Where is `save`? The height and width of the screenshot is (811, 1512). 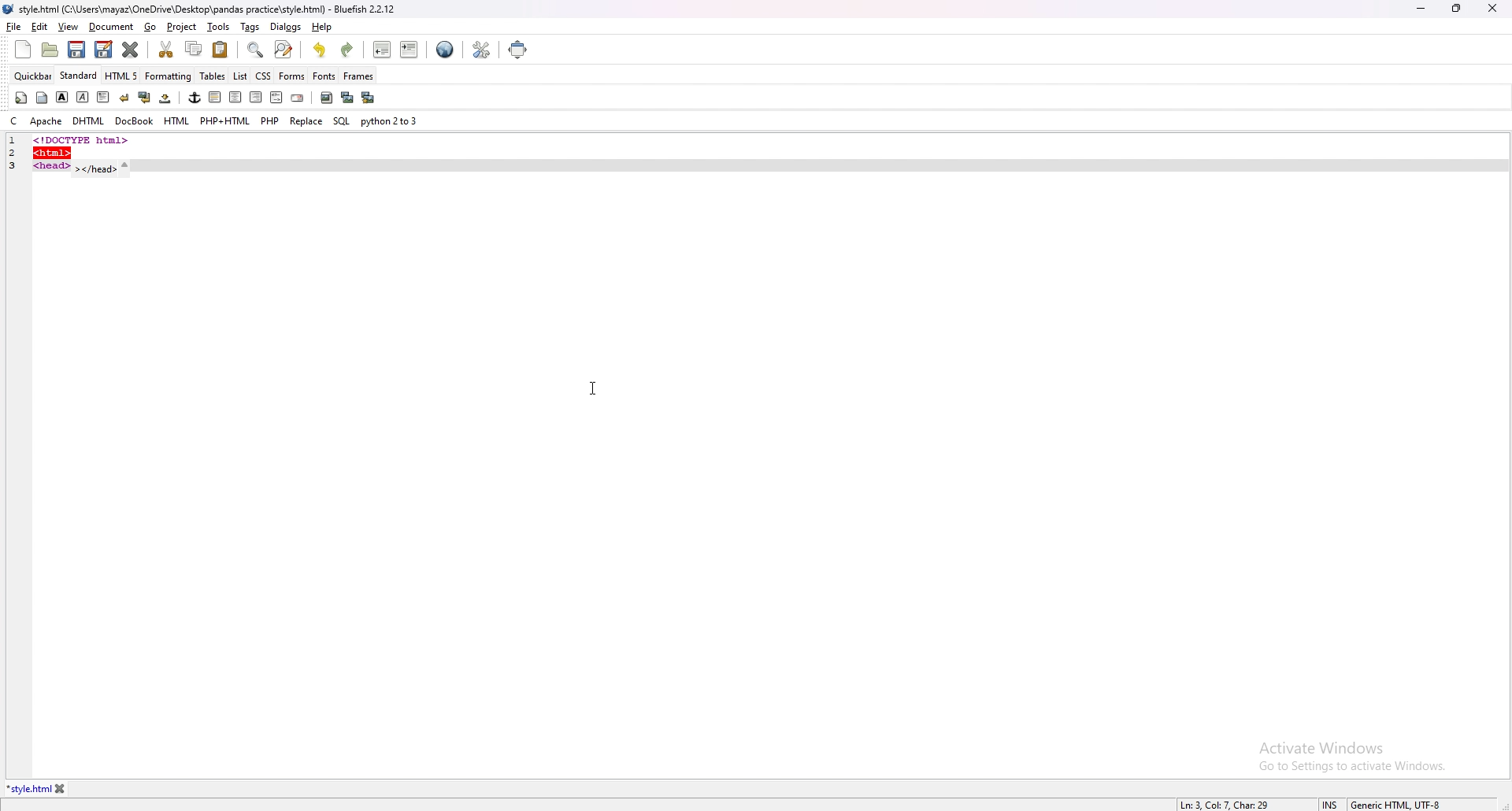 save is located at coordinates (77, 50).